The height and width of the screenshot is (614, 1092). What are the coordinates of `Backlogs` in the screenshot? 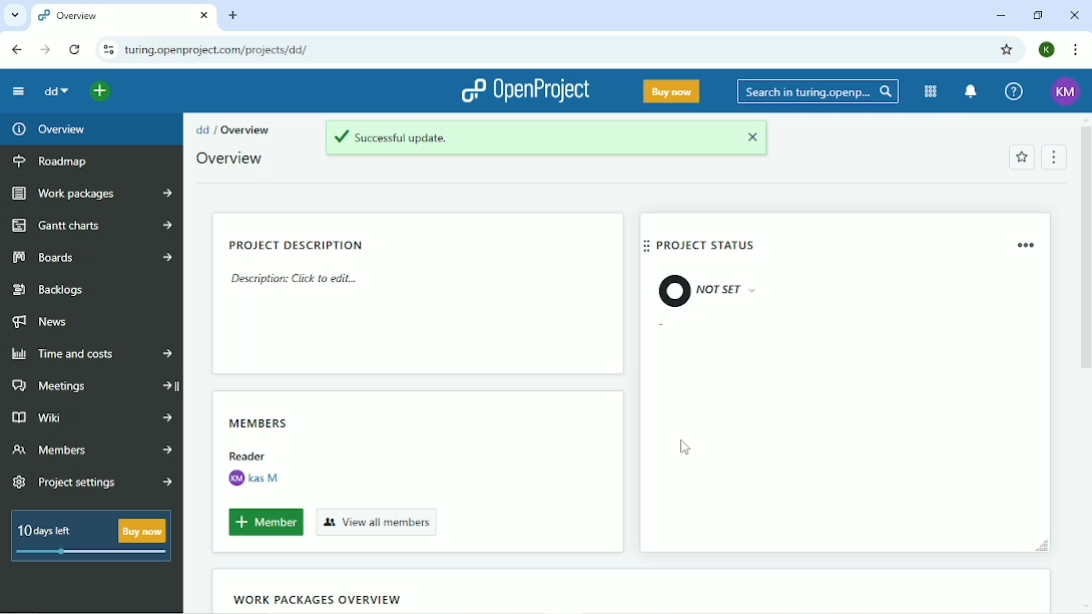 It's located at (51, 290).